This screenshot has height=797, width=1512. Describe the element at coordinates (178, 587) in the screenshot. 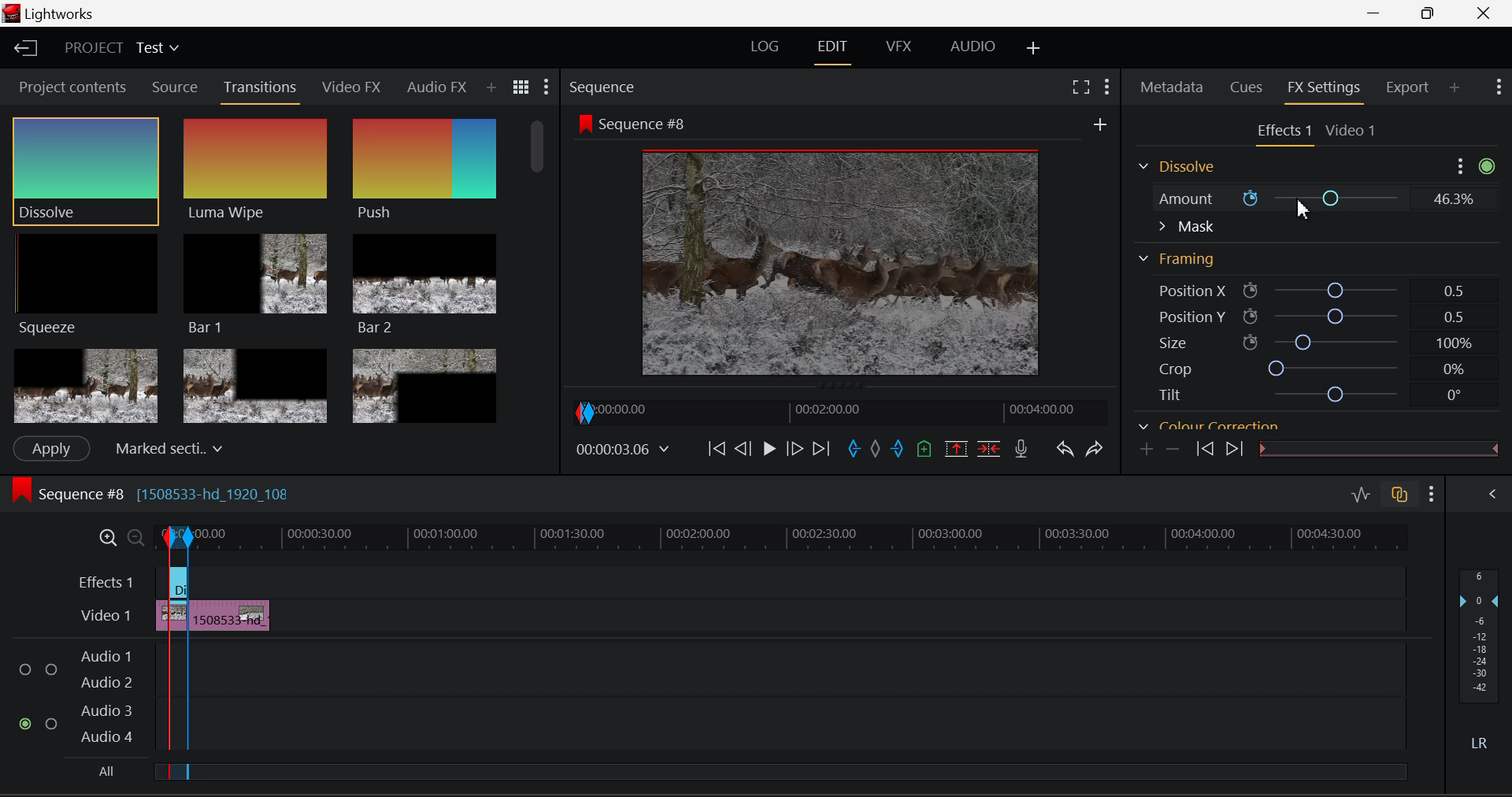

I see `Effect Inserted` at that location.